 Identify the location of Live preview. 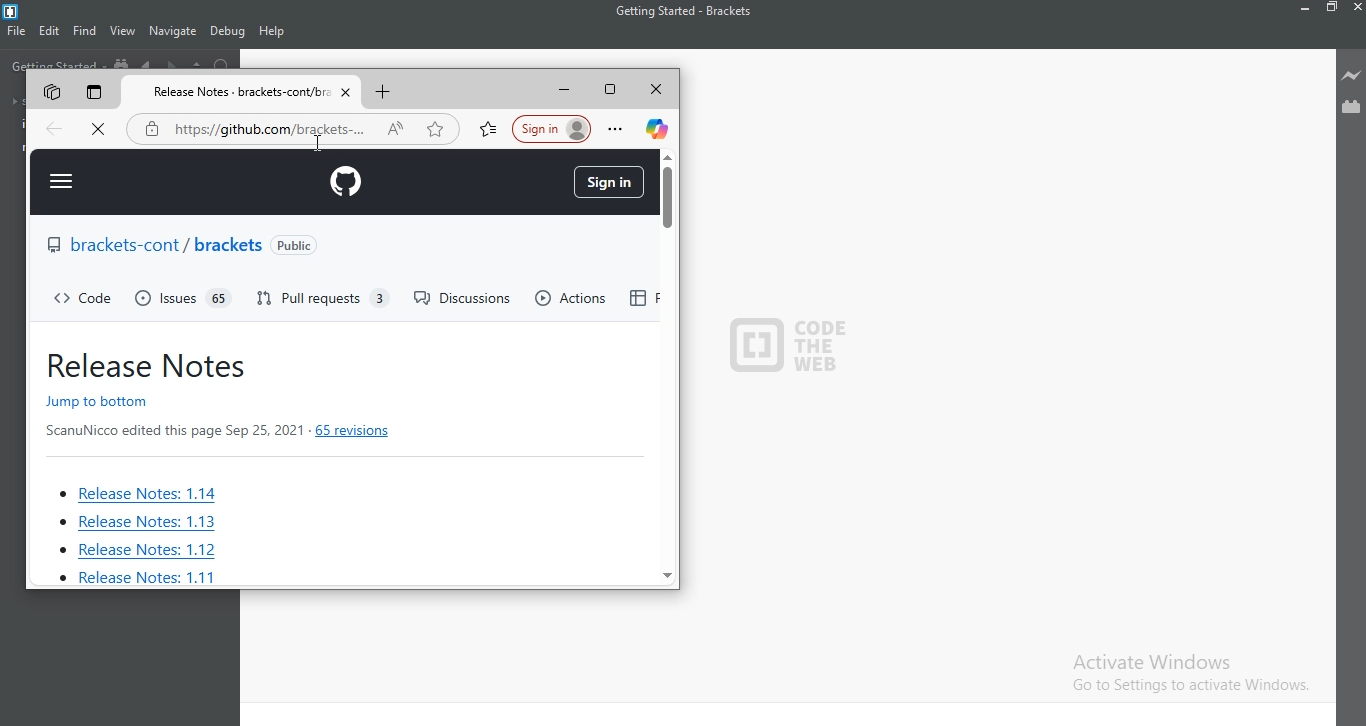
(1351, 76).